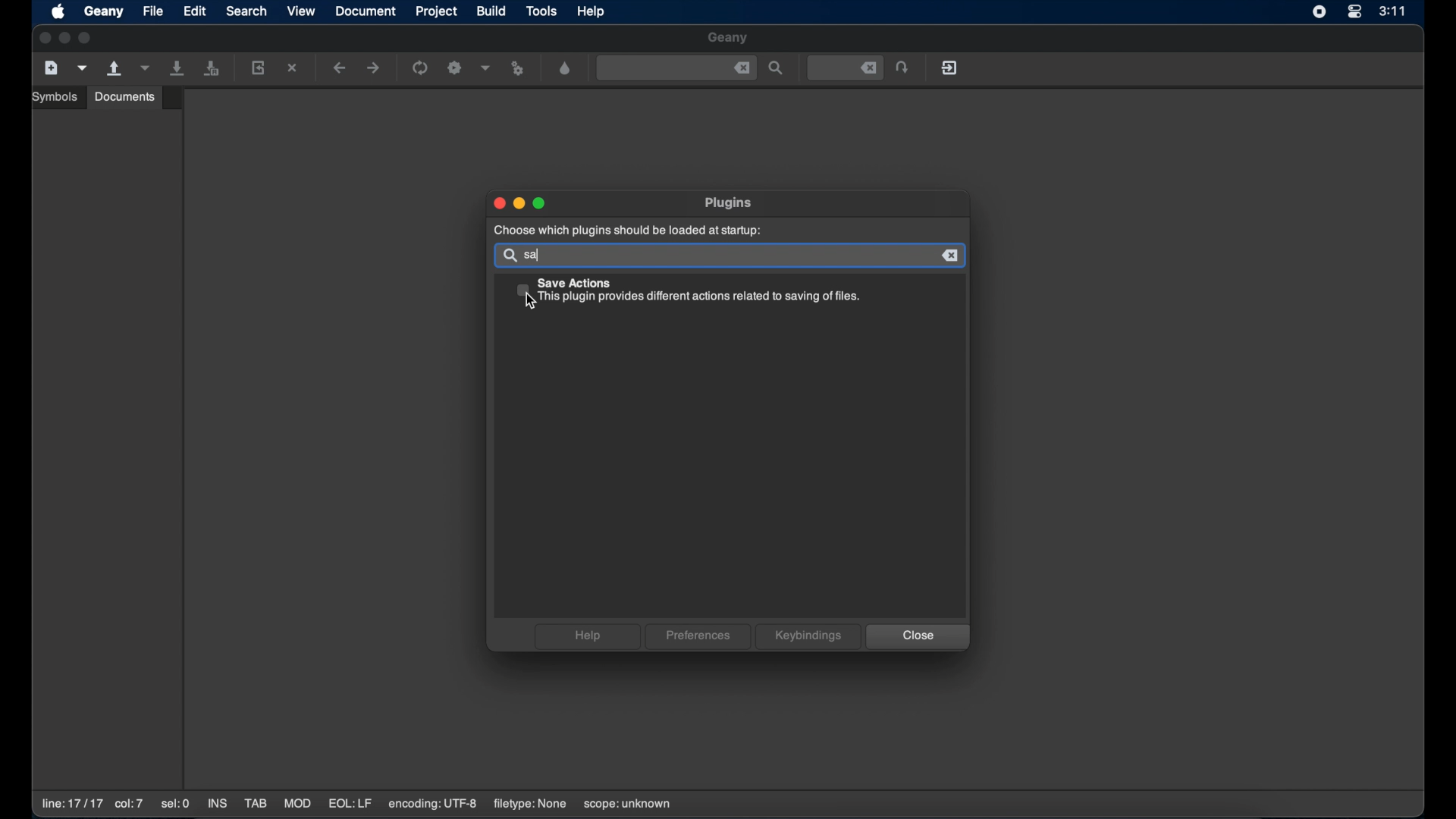  Describe the element at coordinates (1393, 11) in the screenshot. I see `3:11` at that location.